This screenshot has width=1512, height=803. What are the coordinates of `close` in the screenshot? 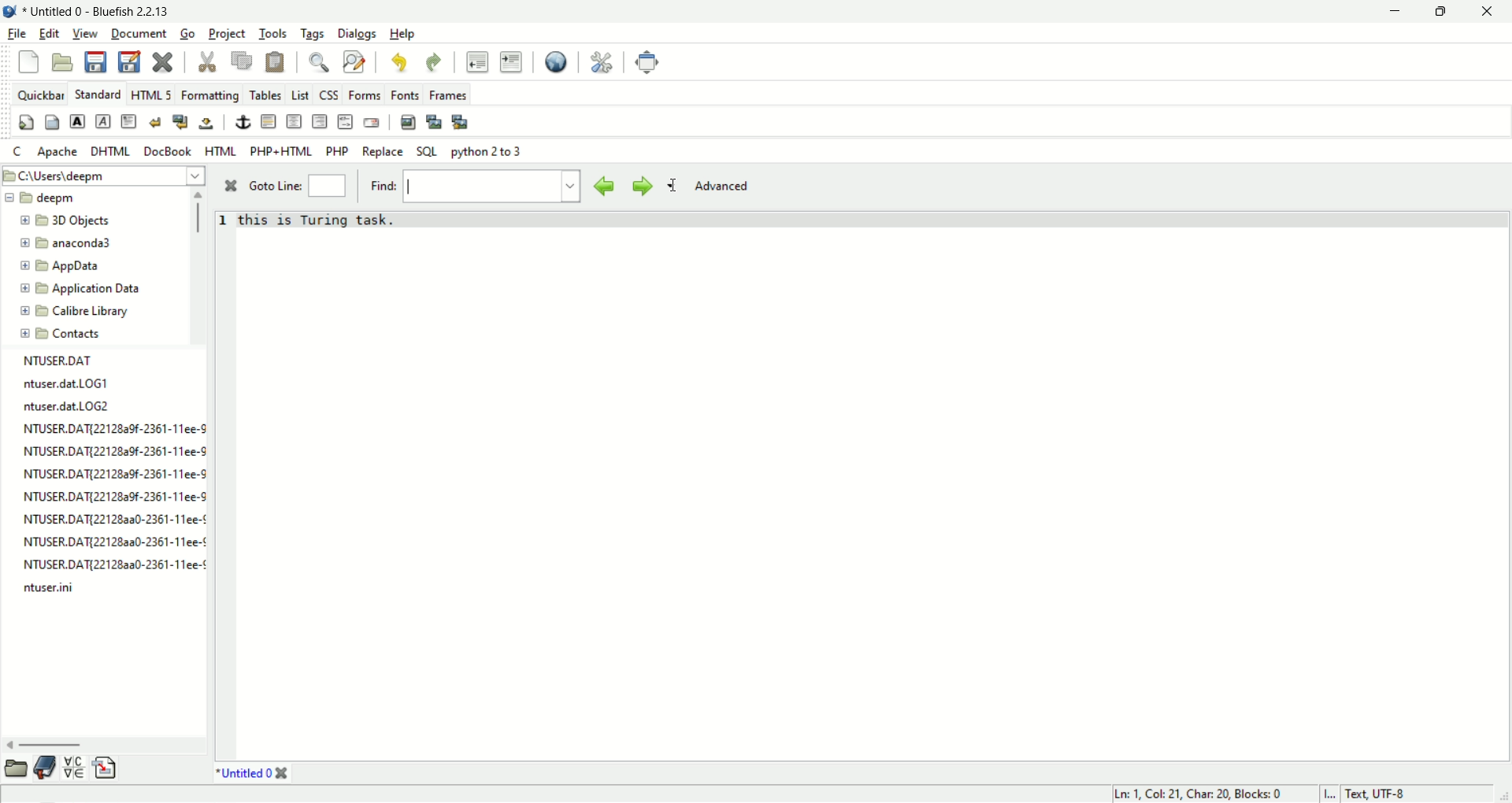 It's located at (234, 187).